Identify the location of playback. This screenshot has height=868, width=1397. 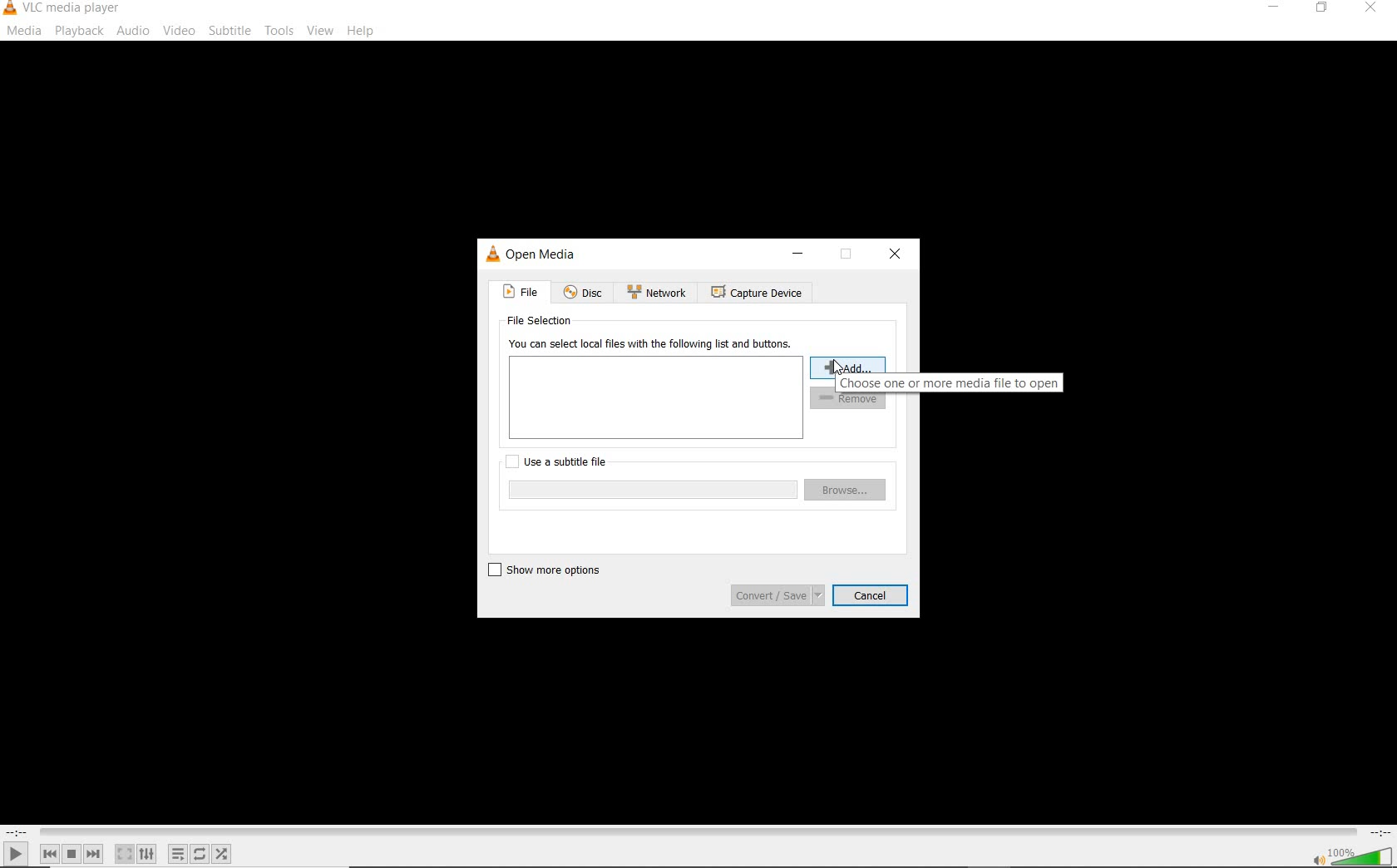
(79, 31).